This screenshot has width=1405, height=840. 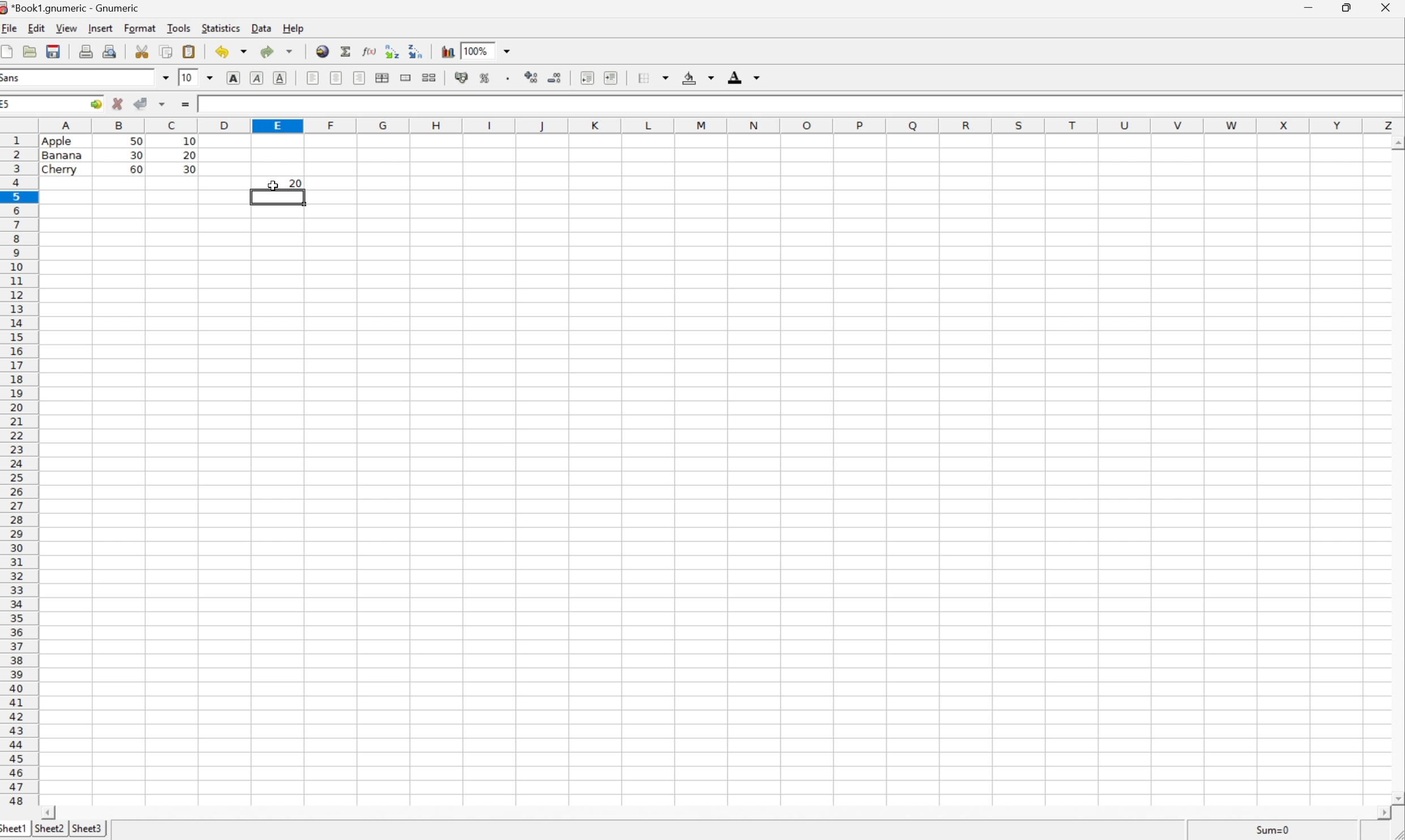 I want to click on sheet2, so click(x=49, y=828).